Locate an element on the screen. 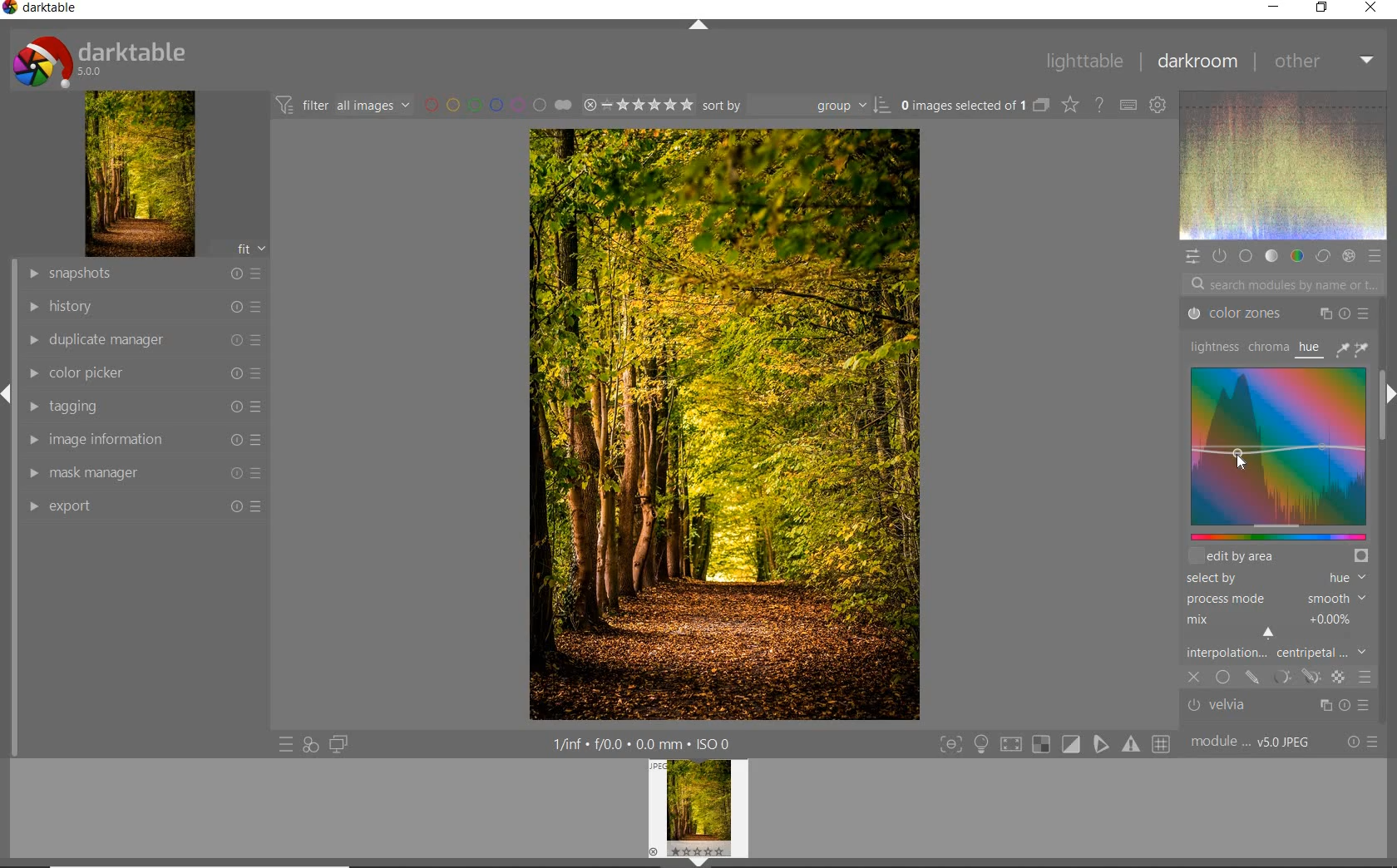 The image size is (1397, 868). color picker tools is located at coordinates (1356, 348).